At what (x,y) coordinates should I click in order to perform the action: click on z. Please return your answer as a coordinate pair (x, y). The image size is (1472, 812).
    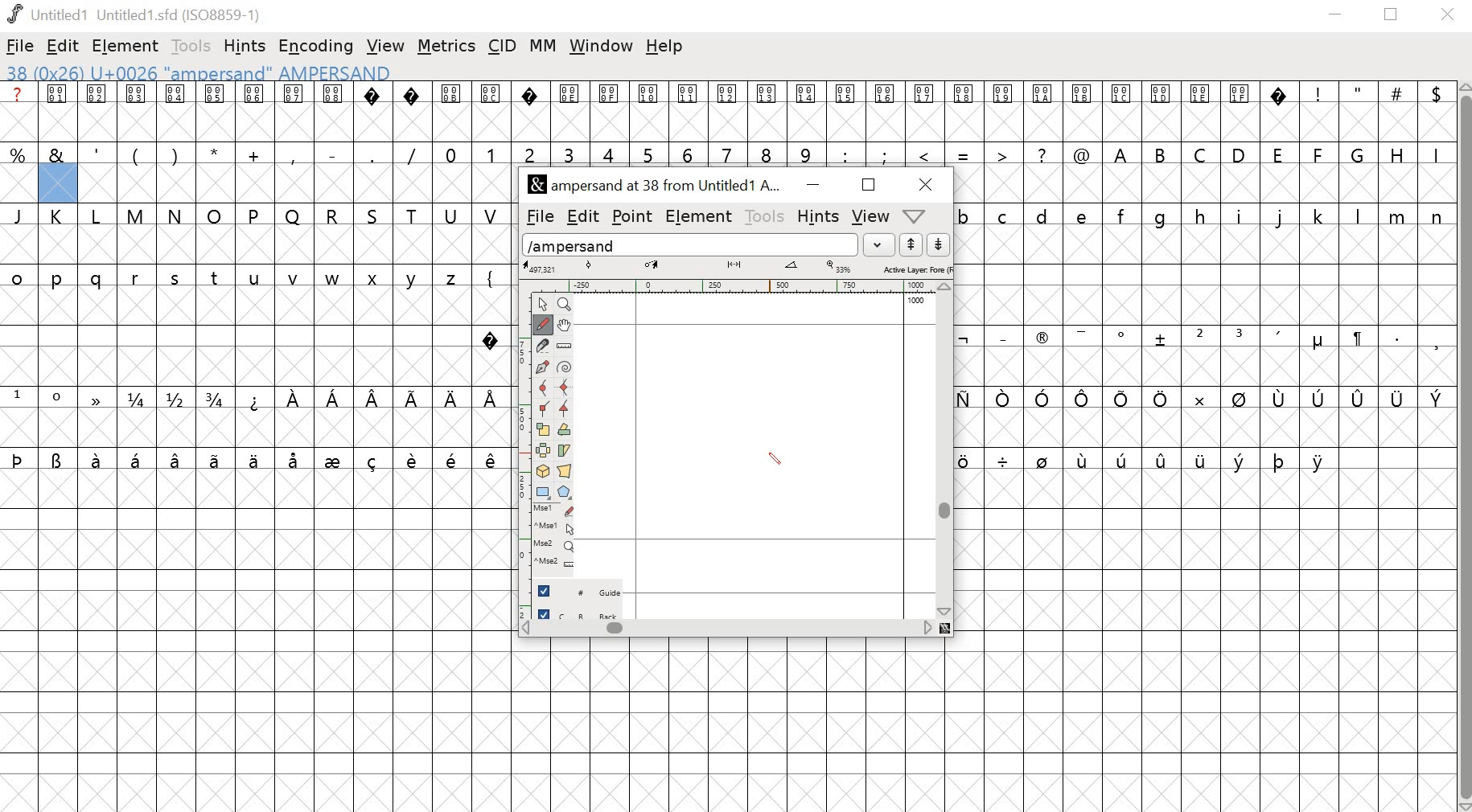
    Looking at the image, I should click on (454, 276).